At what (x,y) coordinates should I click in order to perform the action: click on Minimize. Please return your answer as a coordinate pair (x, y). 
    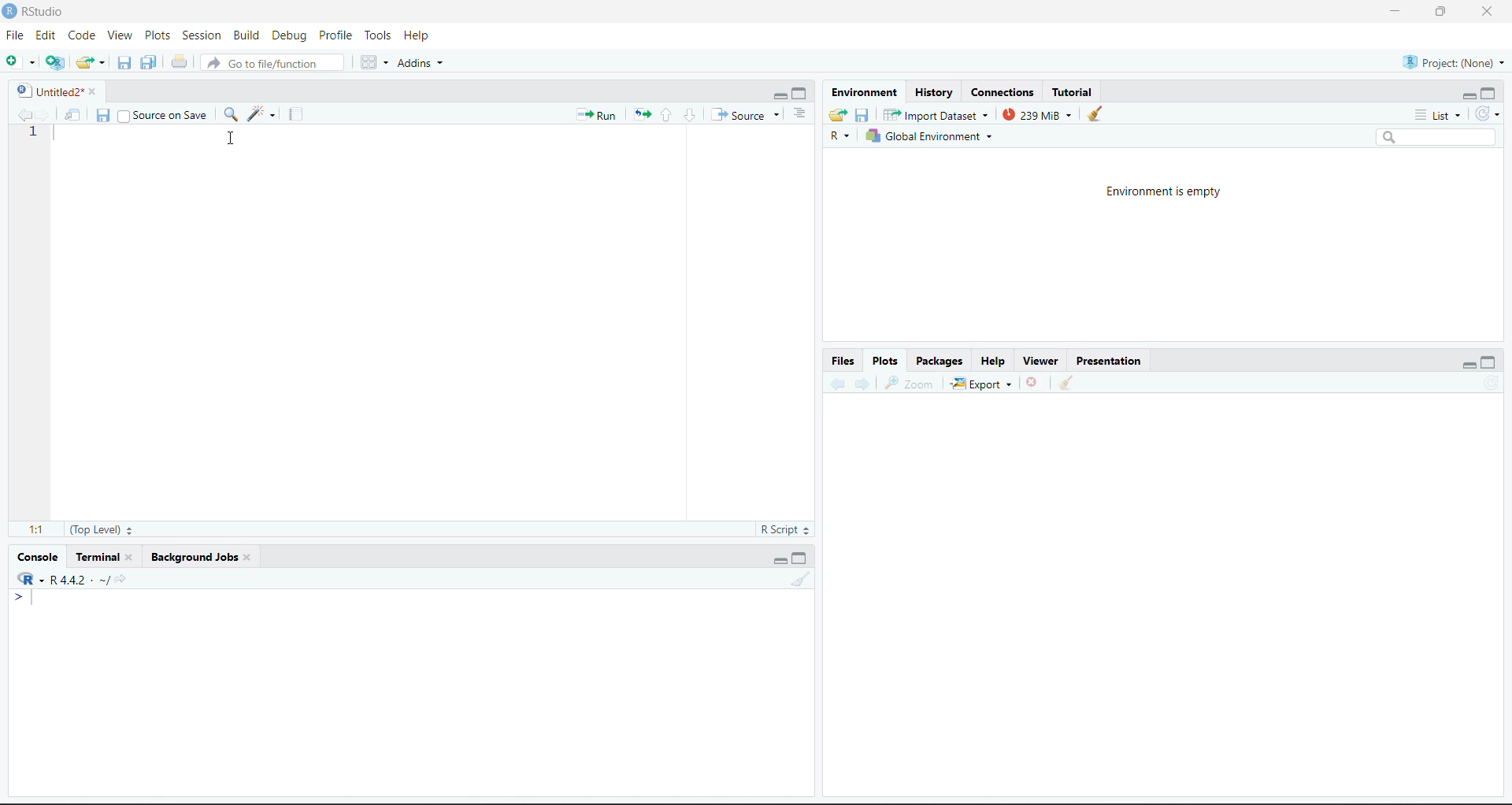
    Looking at the image, I should click on (1395, 12).